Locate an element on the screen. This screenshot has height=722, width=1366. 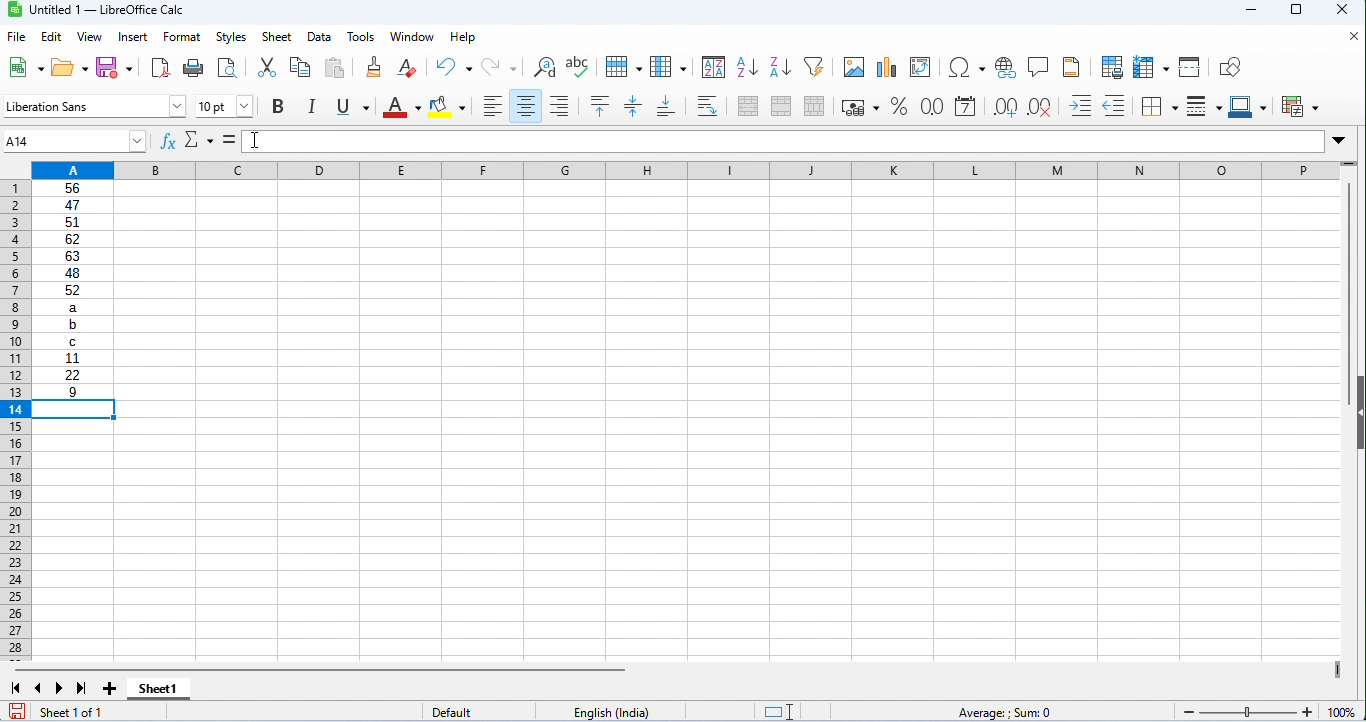
insert or edit pivot table is located at coordinates (922, 67).